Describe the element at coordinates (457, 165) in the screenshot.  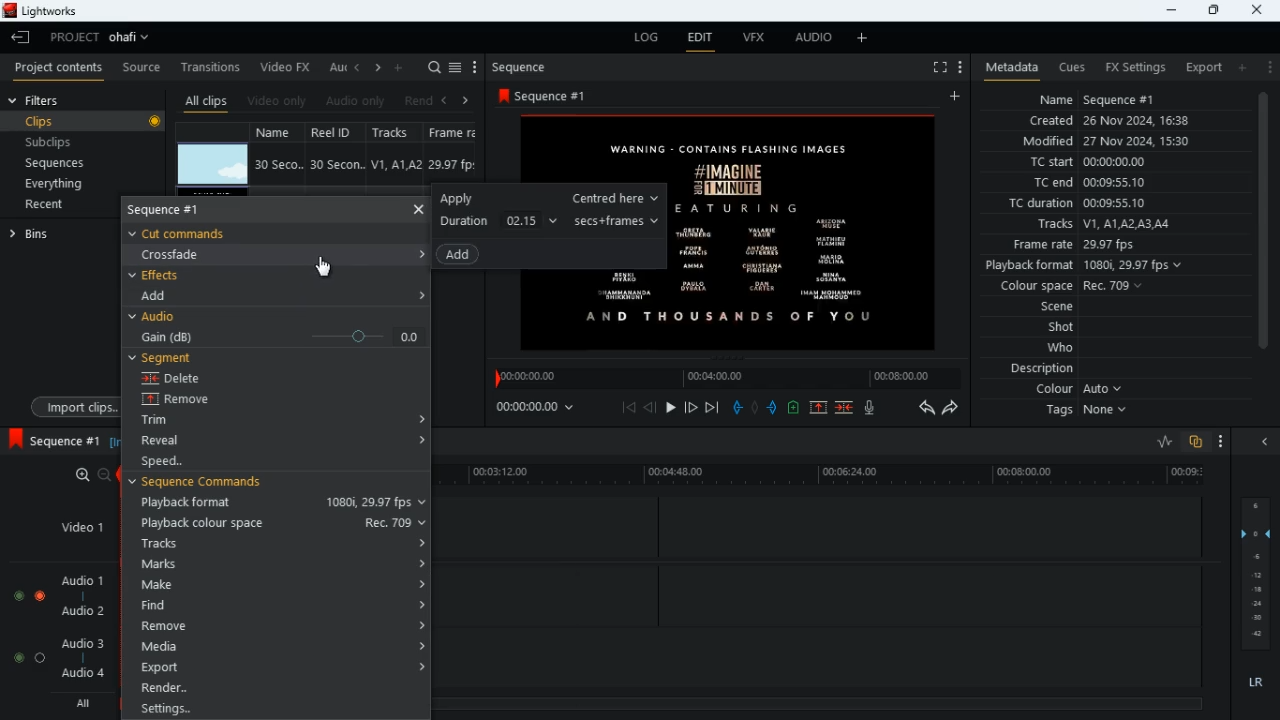
I see `29.97 fps` at that location.